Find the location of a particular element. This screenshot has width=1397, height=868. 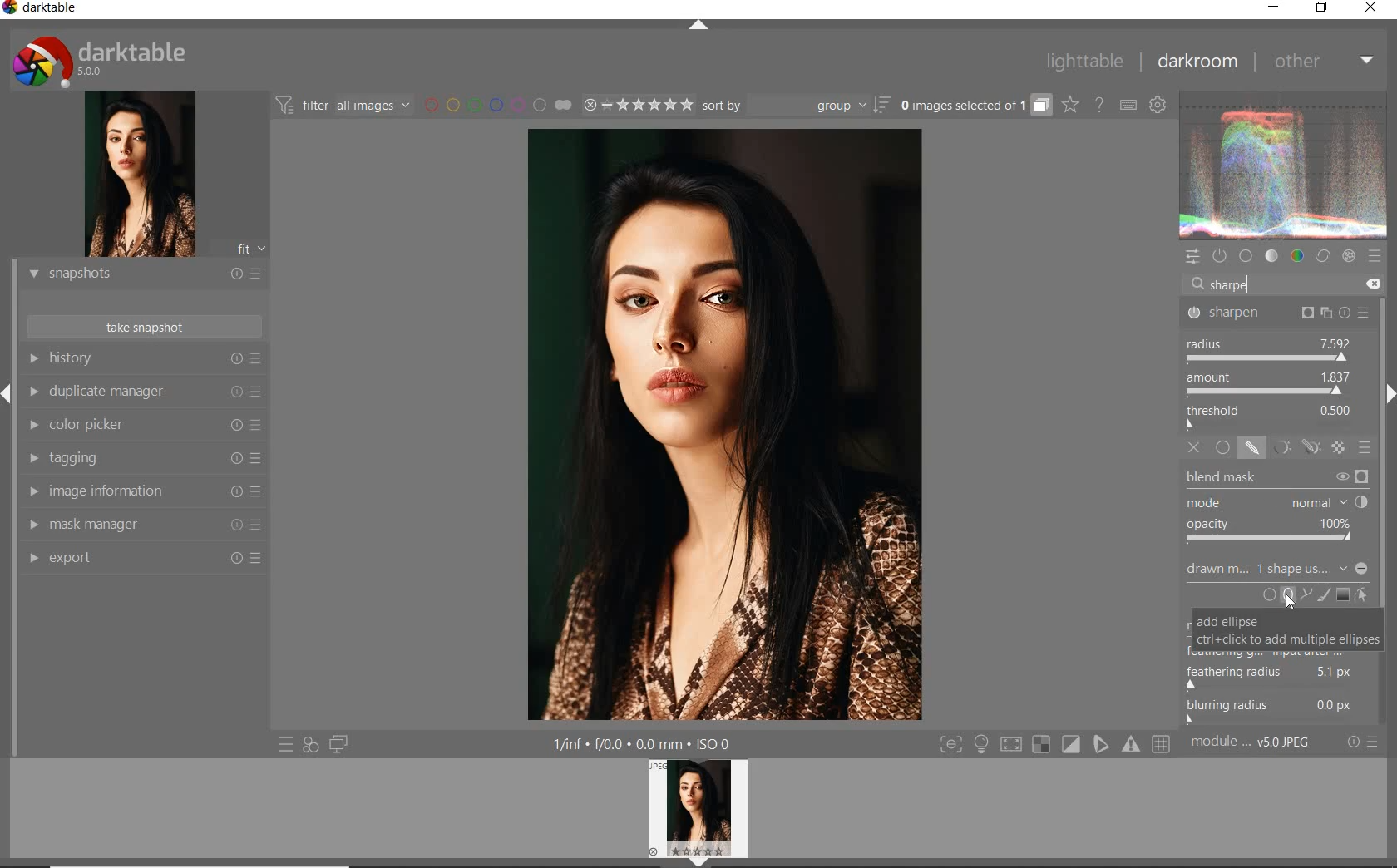

ADD PATH is located at coordinates (1304, 594).